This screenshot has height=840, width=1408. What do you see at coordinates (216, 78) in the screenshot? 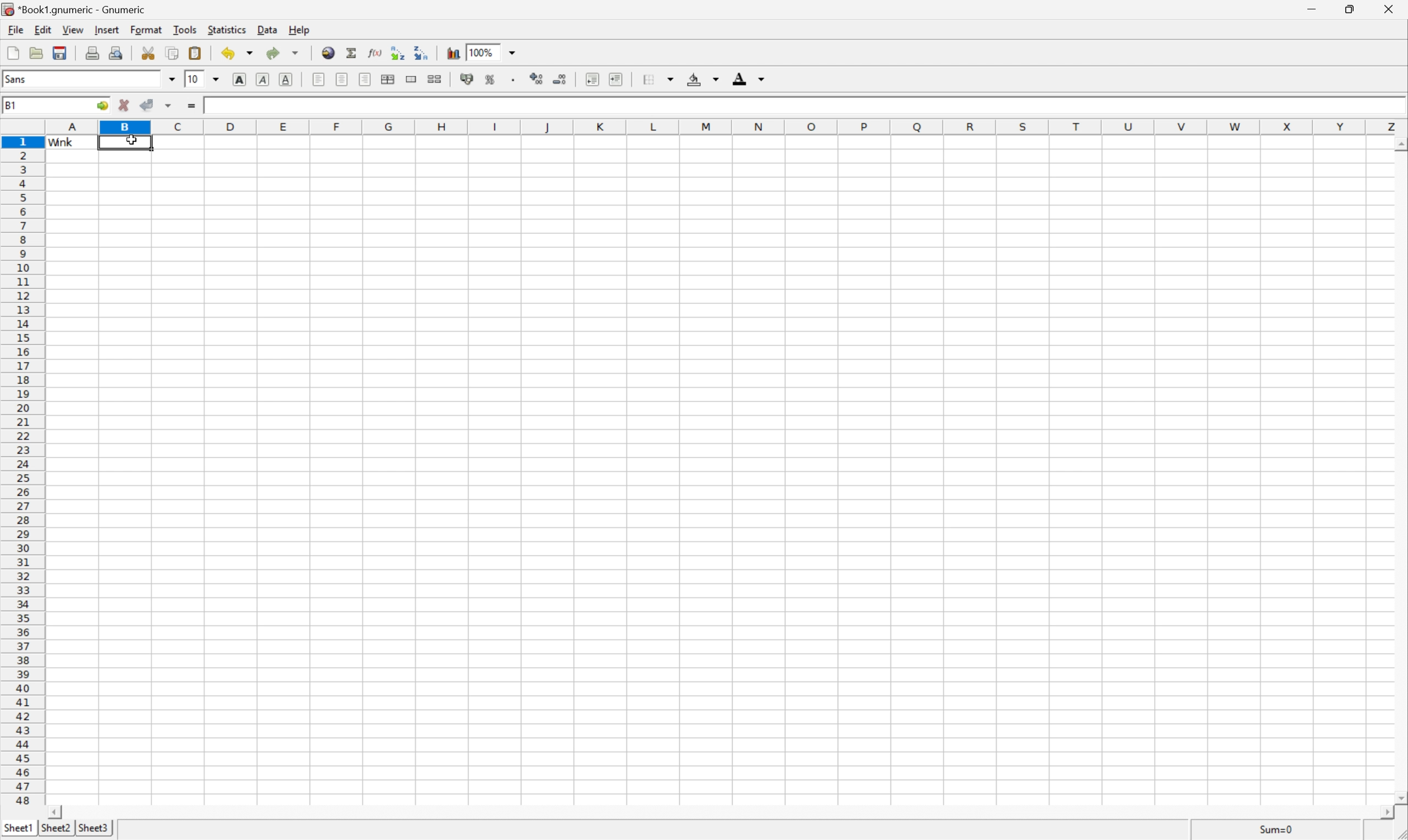
I see `drop down` at bounding box center [216, 78].